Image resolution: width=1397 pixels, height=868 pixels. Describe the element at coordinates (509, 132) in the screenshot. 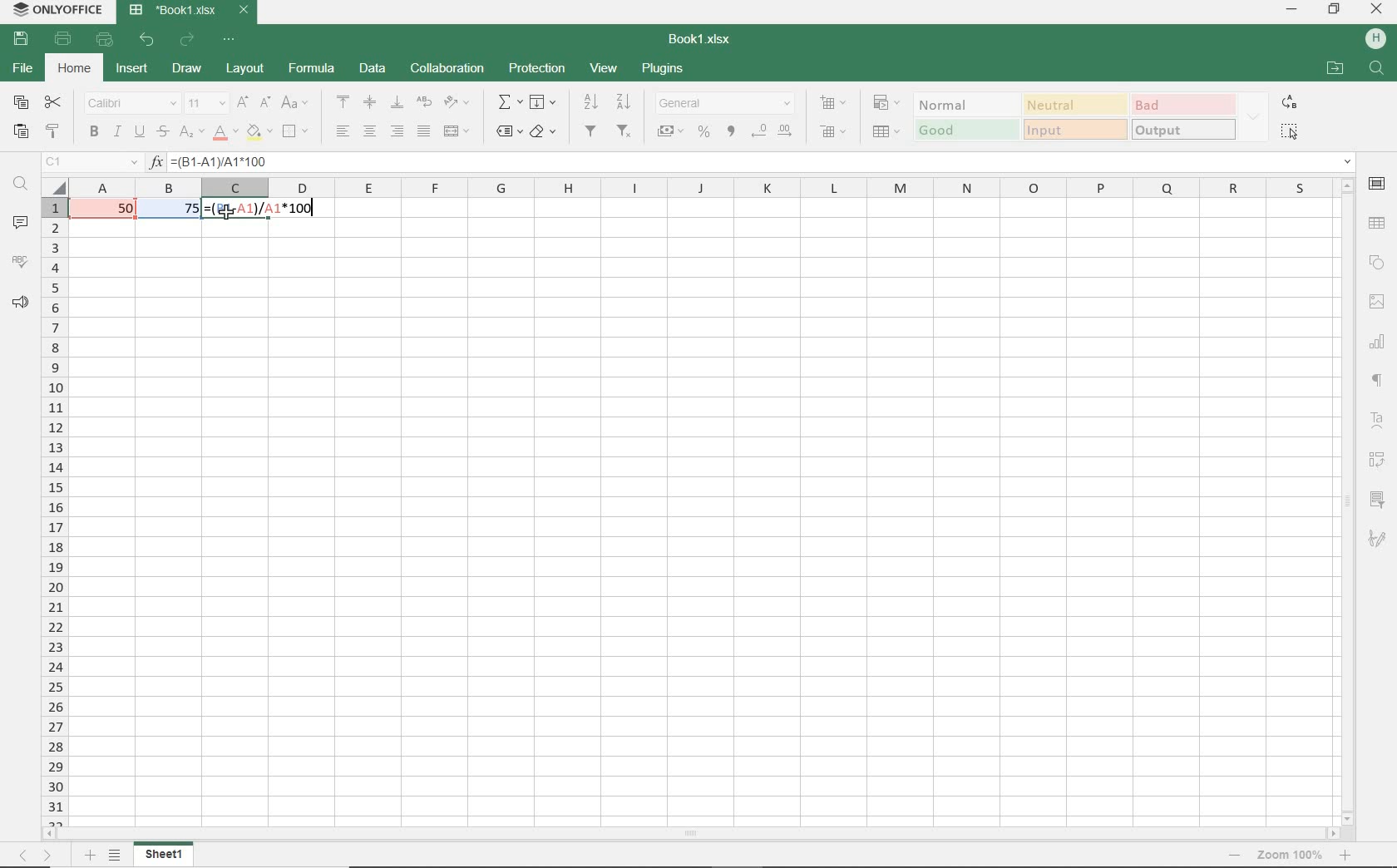

I see `named ranges` at that location.